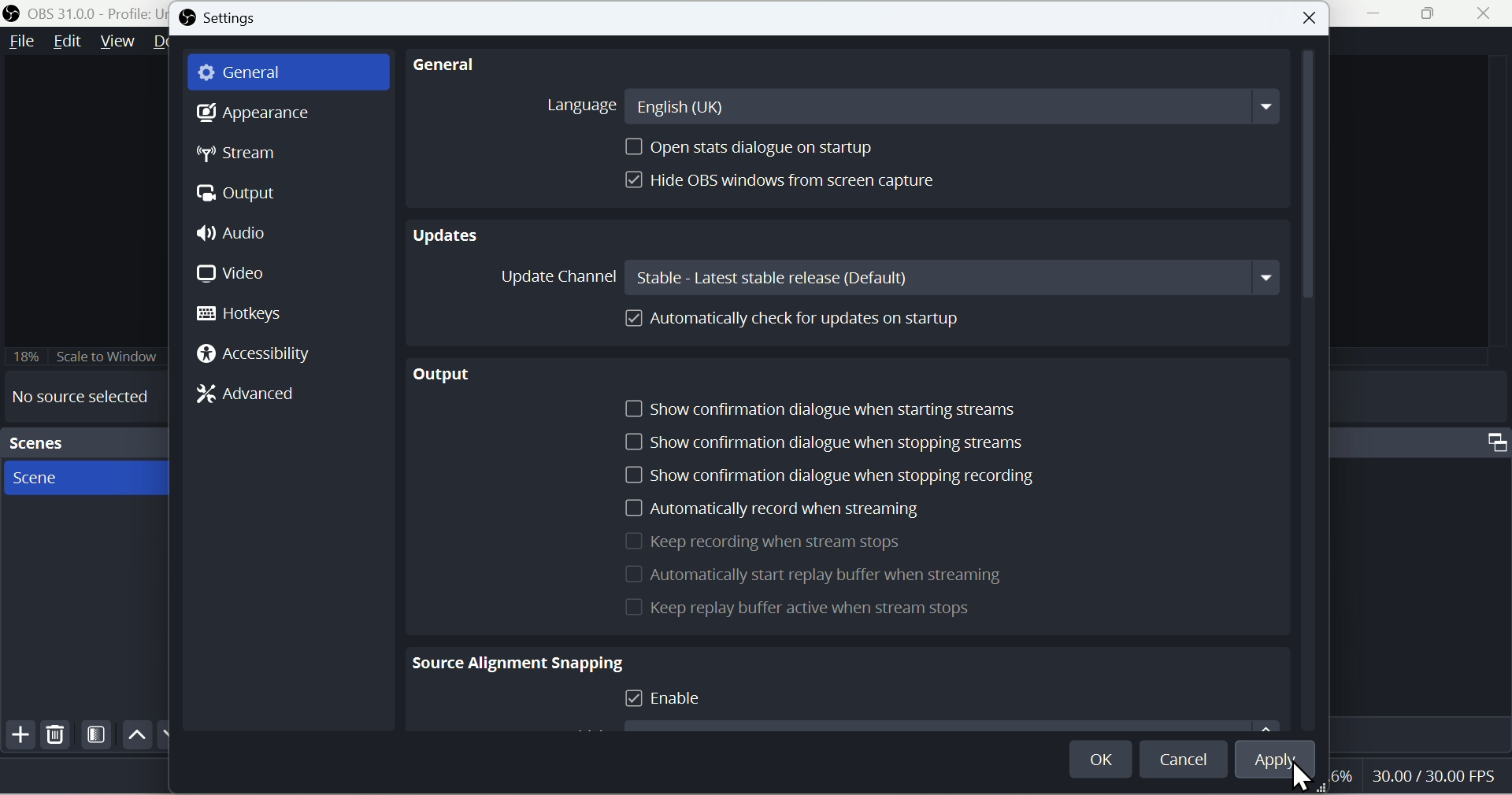  I want to click on Video, so click(242, 275).